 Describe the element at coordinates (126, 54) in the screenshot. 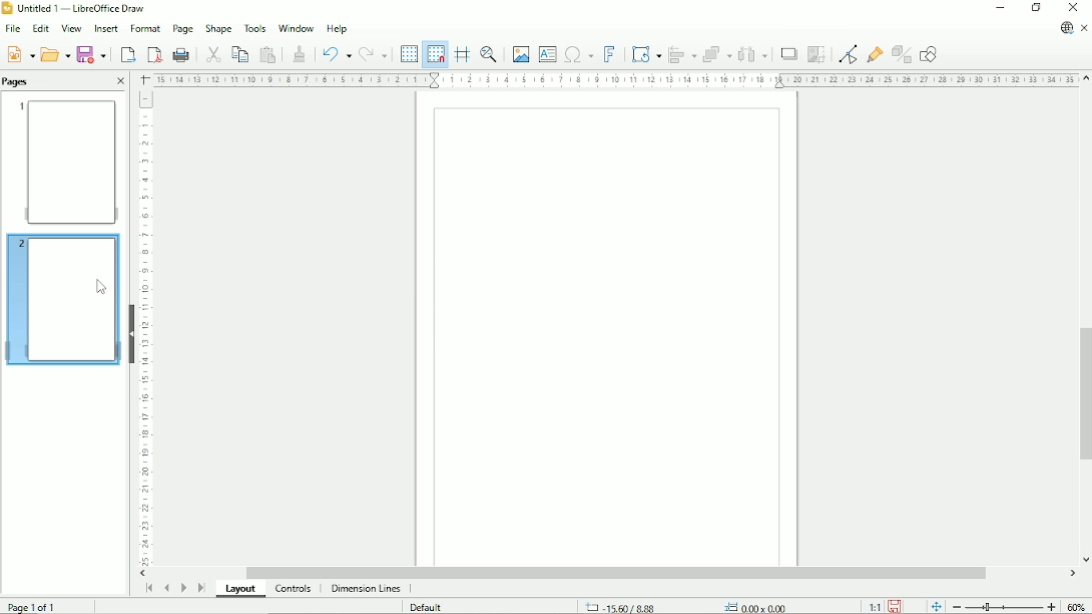

I see `Export` at that location.